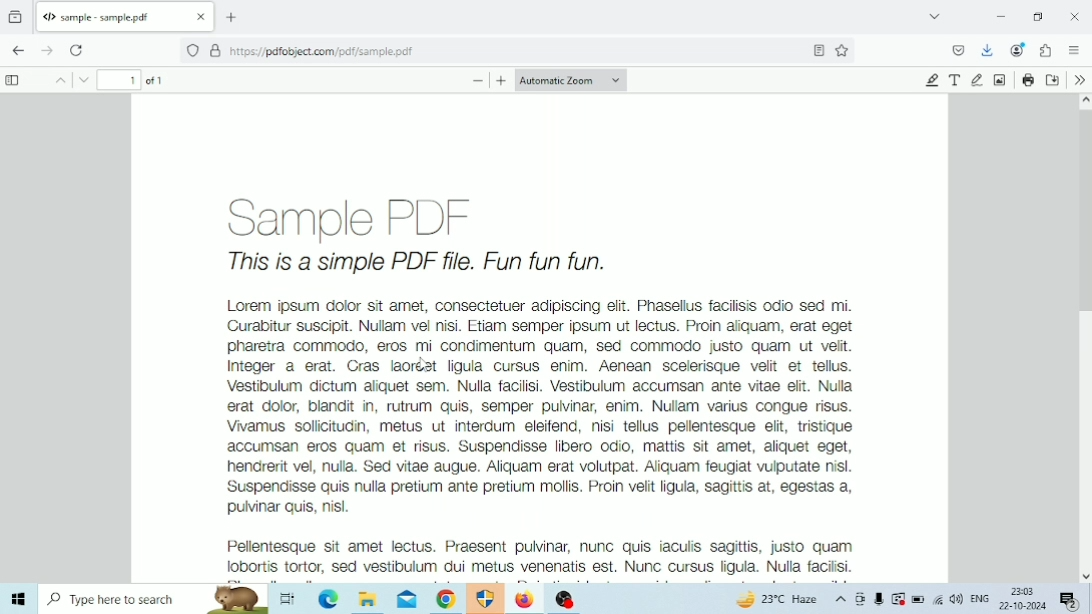  Describe the element at coordinates (938, 599) in the screenshot. I see `Internet` at that location.